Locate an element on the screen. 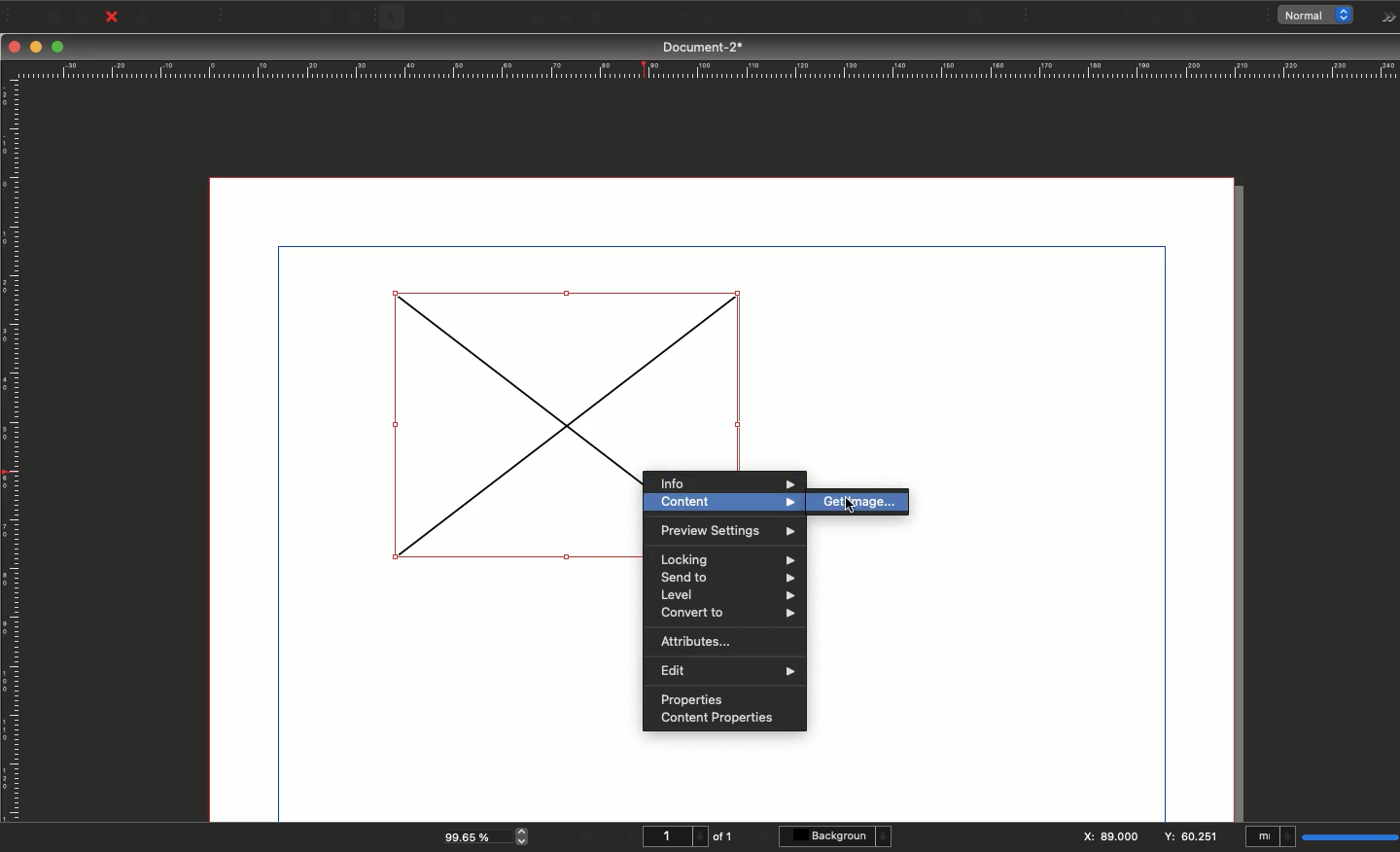 This screenshot has width=1400, height=852. Spiral is located at coordinates (628, 19).